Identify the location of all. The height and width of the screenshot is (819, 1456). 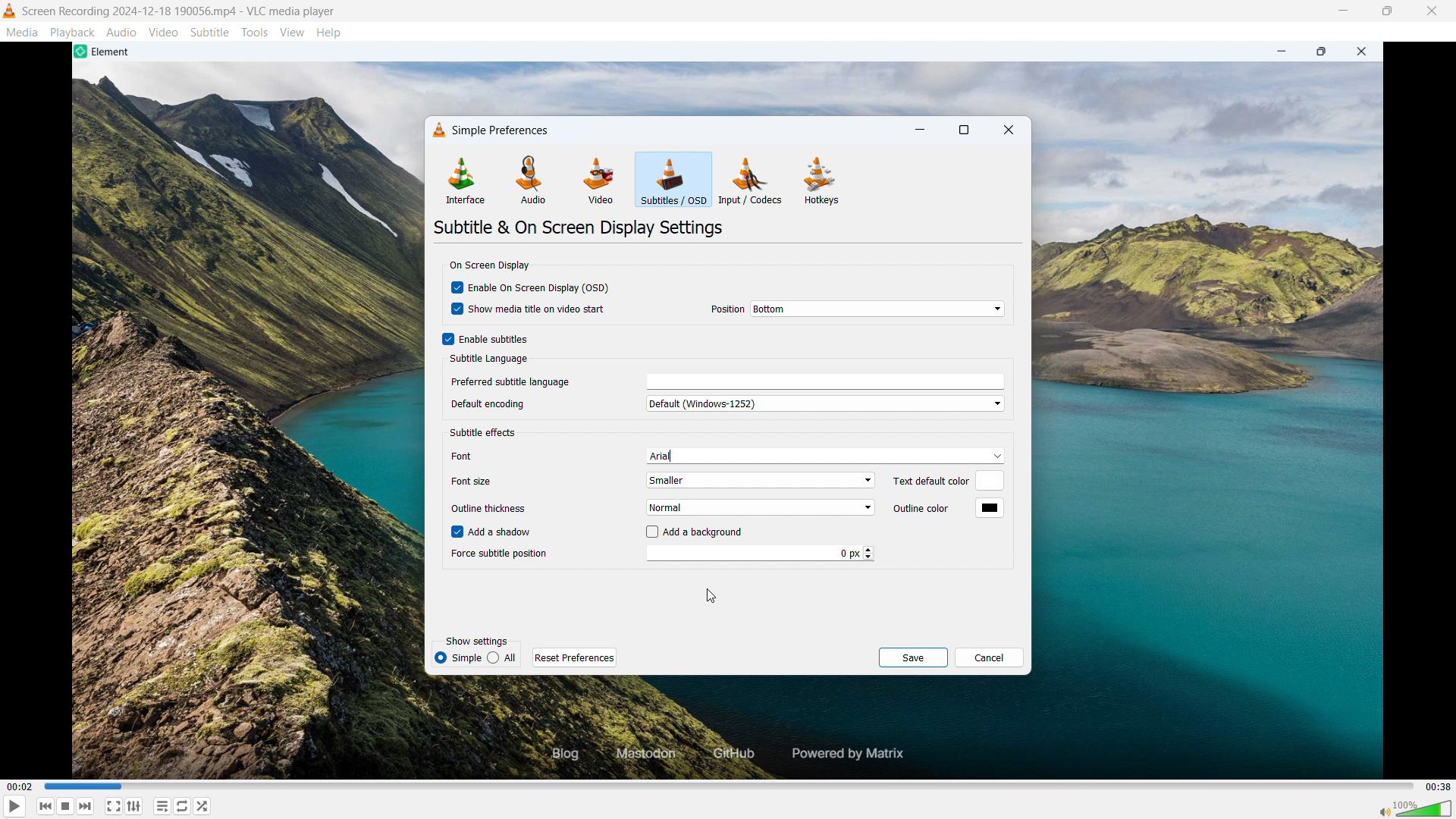
(457, 658).